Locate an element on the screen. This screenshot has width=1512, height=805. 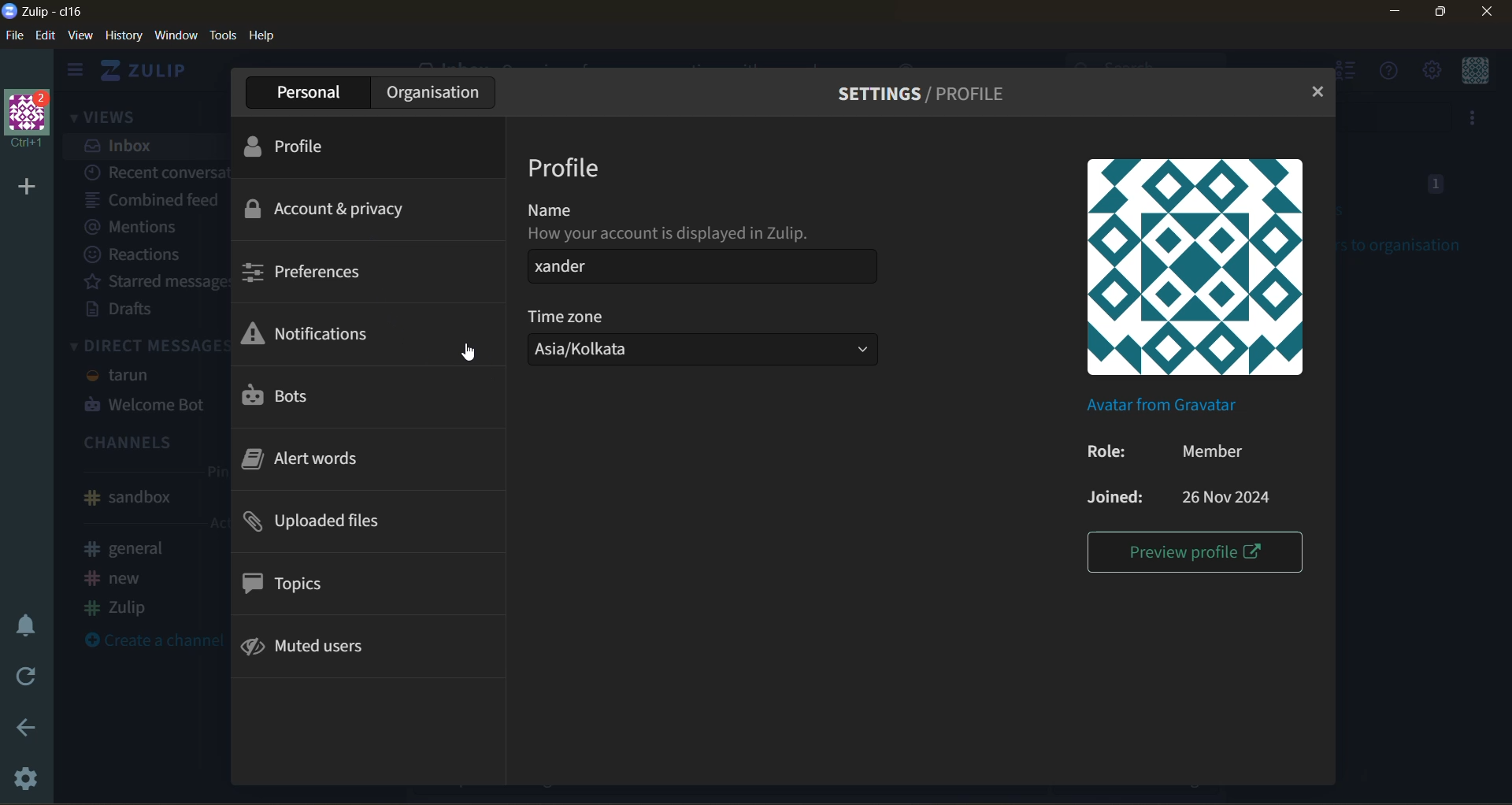
enable do not disturb is located at coordinates (28, 621).